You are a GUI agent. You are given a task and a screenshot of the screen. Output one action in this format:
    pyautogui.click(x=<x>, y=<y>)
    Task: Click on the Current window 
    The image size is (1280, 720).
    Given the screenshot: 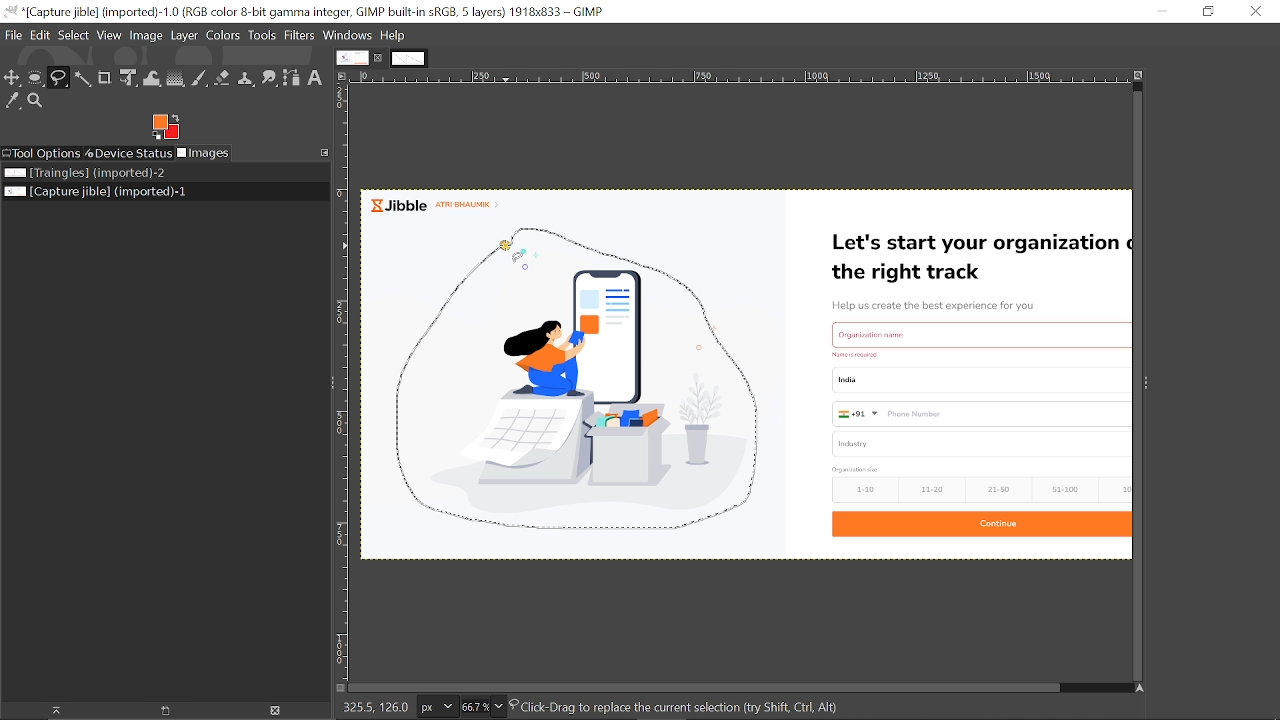 What is the action you would take?
    pyautogui.click(x=310, y=12)
    